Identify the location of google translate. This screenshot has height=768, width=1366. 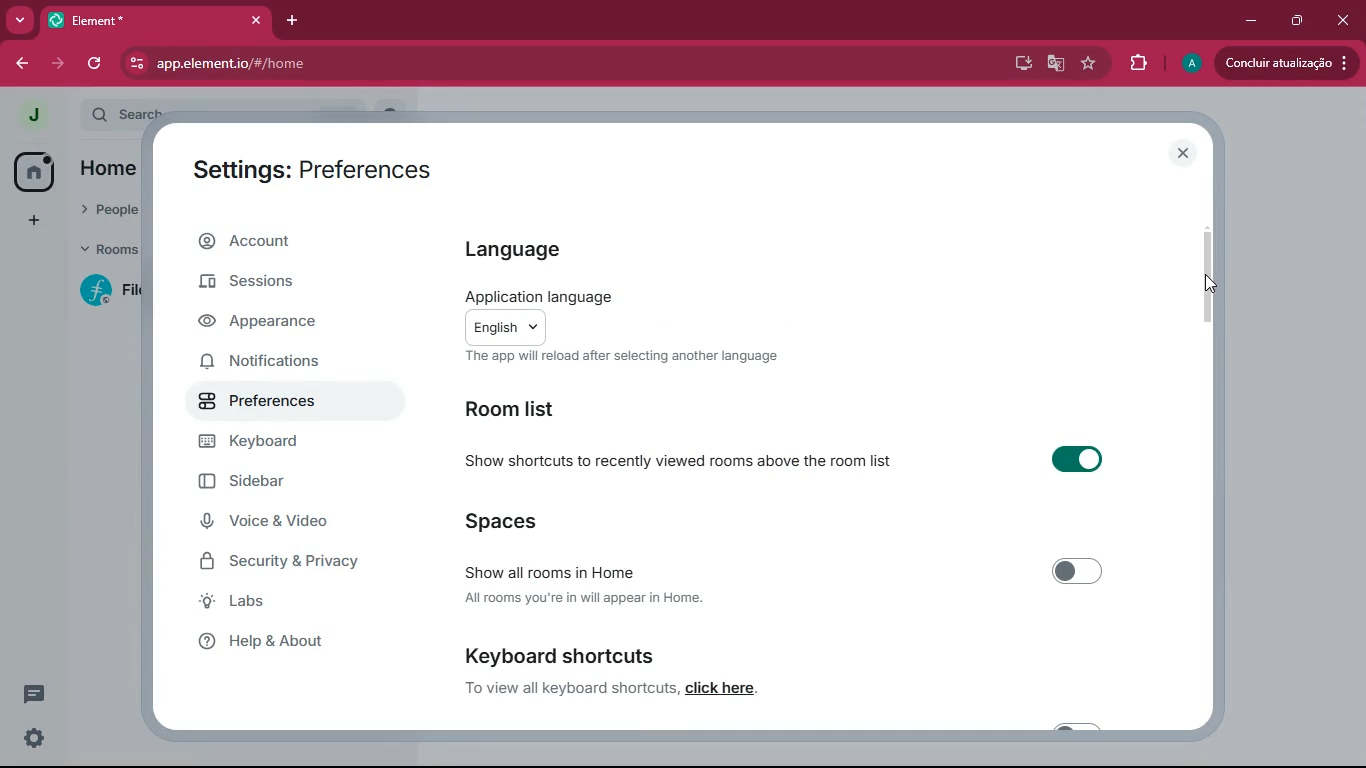
(1054, 66).